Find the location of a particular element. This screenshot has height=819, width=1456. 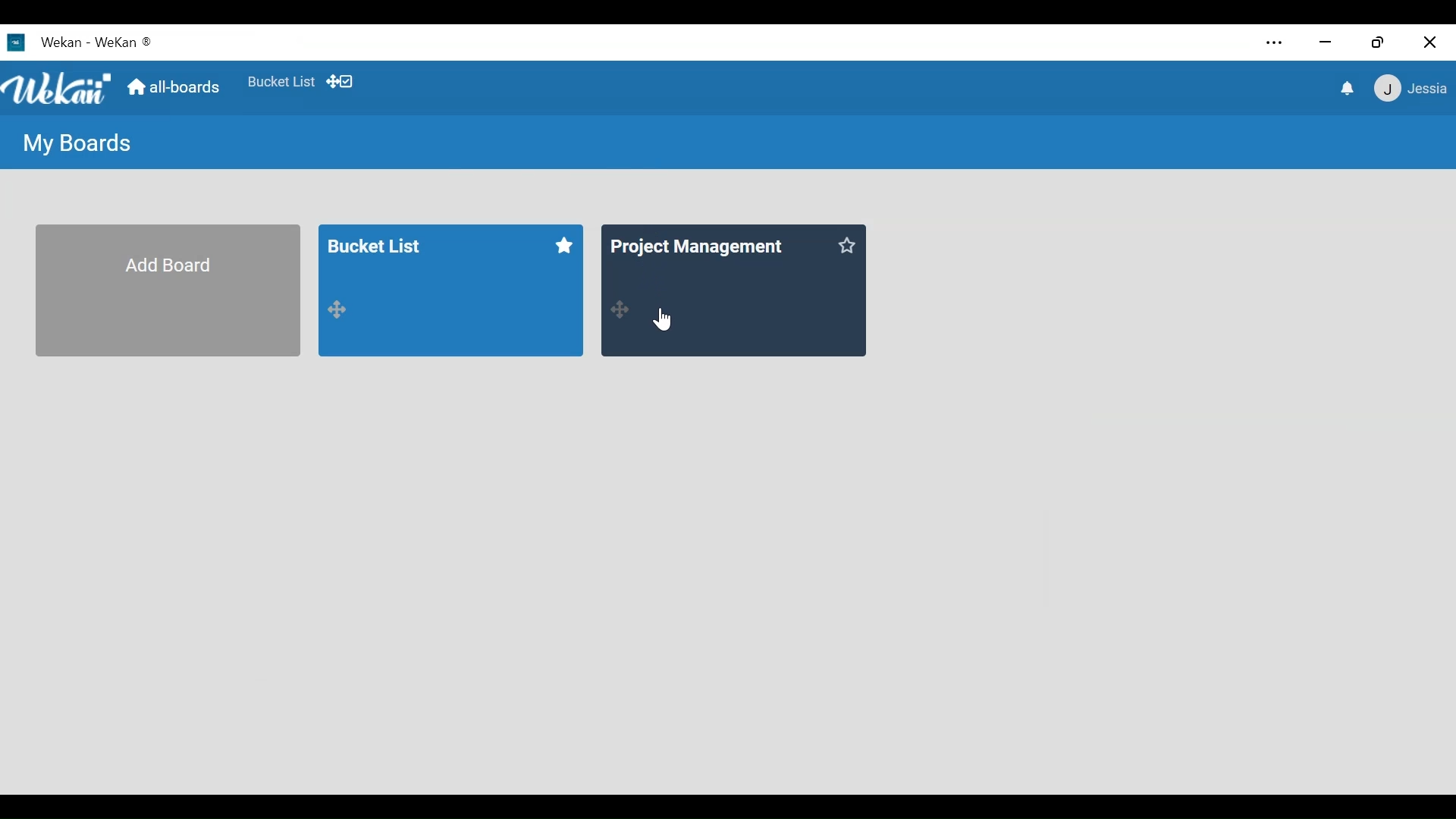

close is located at coordinates (1429, 42).